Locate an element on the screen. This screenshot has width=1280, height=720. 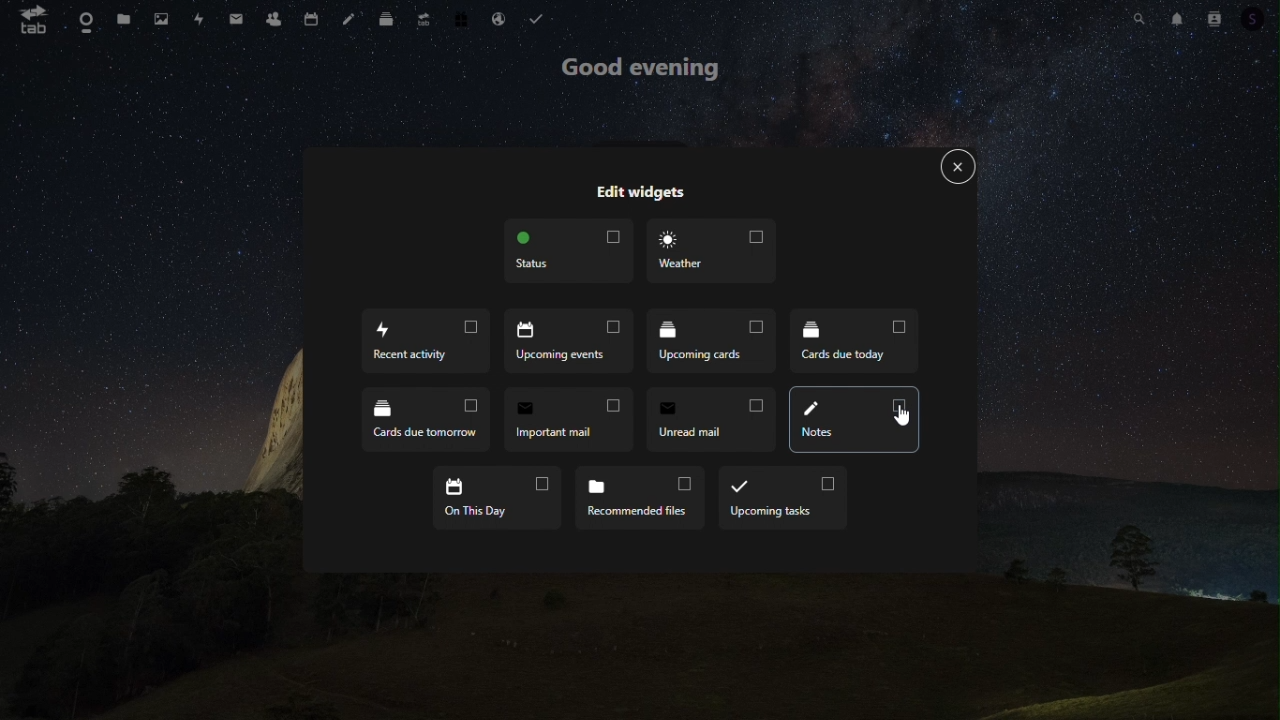
Upcoming events  is located at coordinates (564, 341).